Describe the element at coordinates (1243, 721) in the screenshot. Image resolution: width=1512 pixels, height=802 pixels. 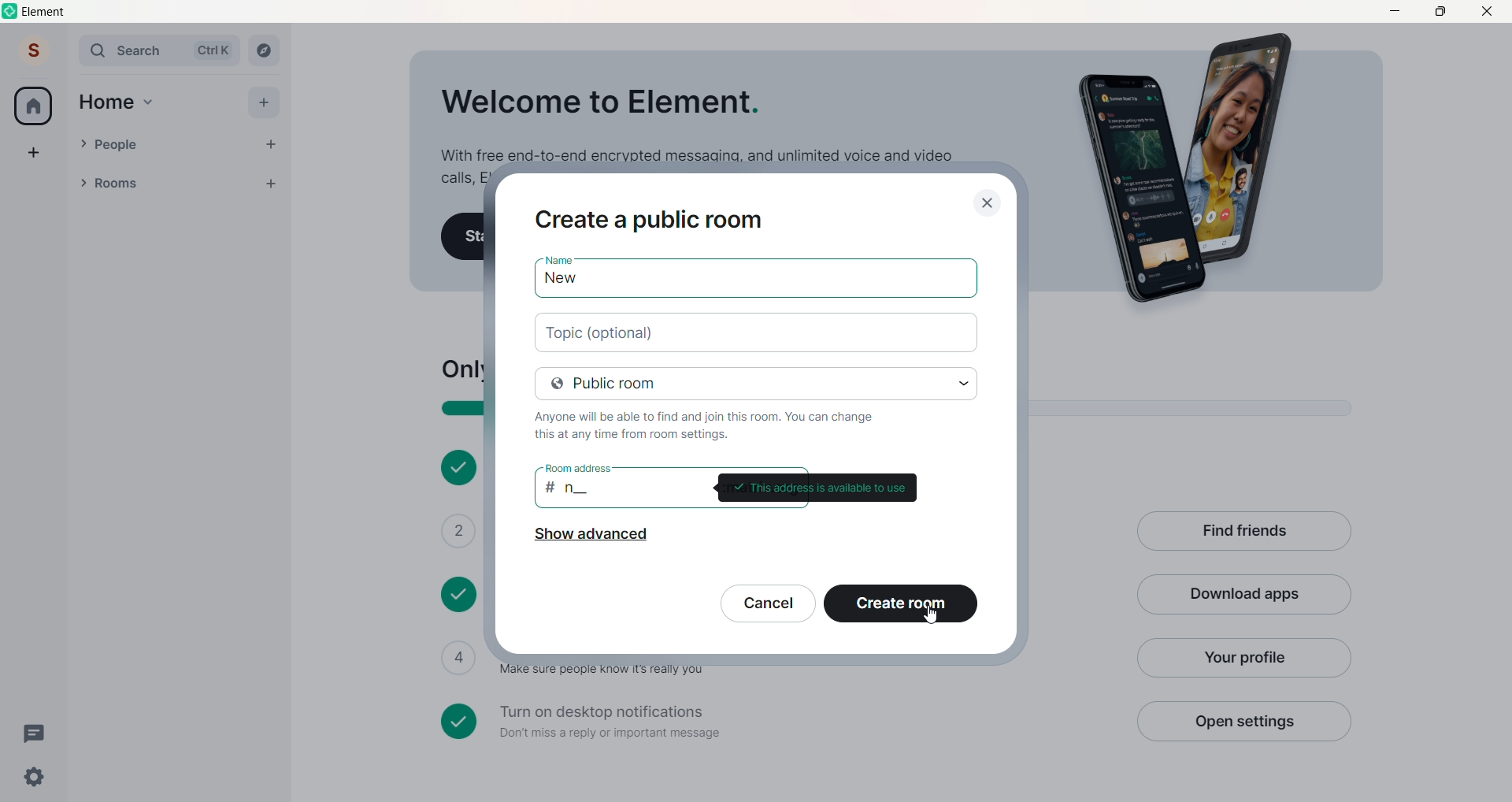
I see `Open Settings` at that location.